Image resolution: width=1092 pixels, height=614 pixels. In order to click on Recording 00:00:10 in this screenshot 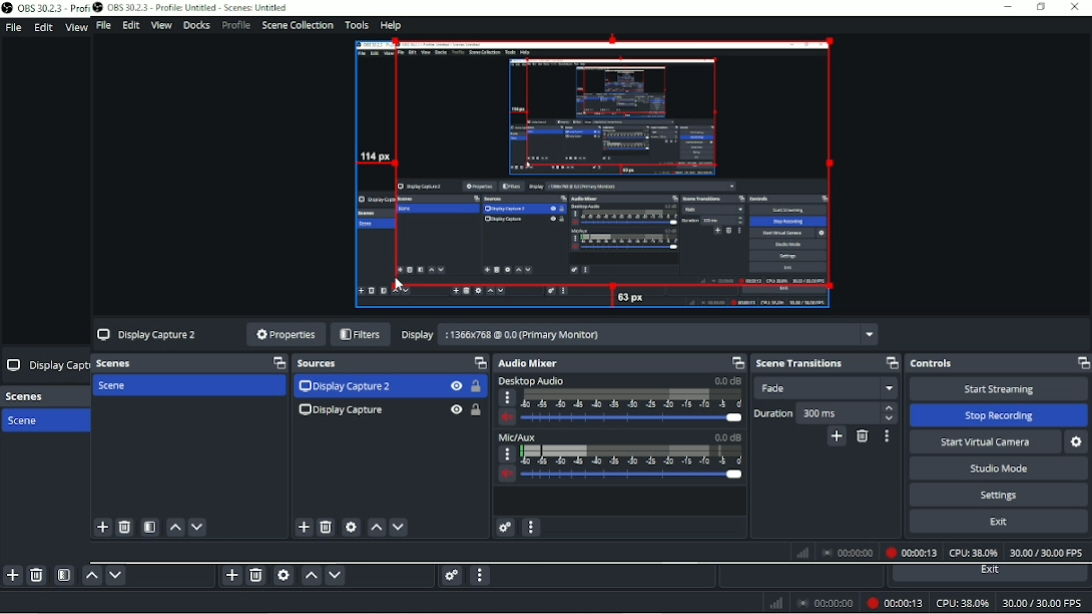, I will do `click(894, 604)`.